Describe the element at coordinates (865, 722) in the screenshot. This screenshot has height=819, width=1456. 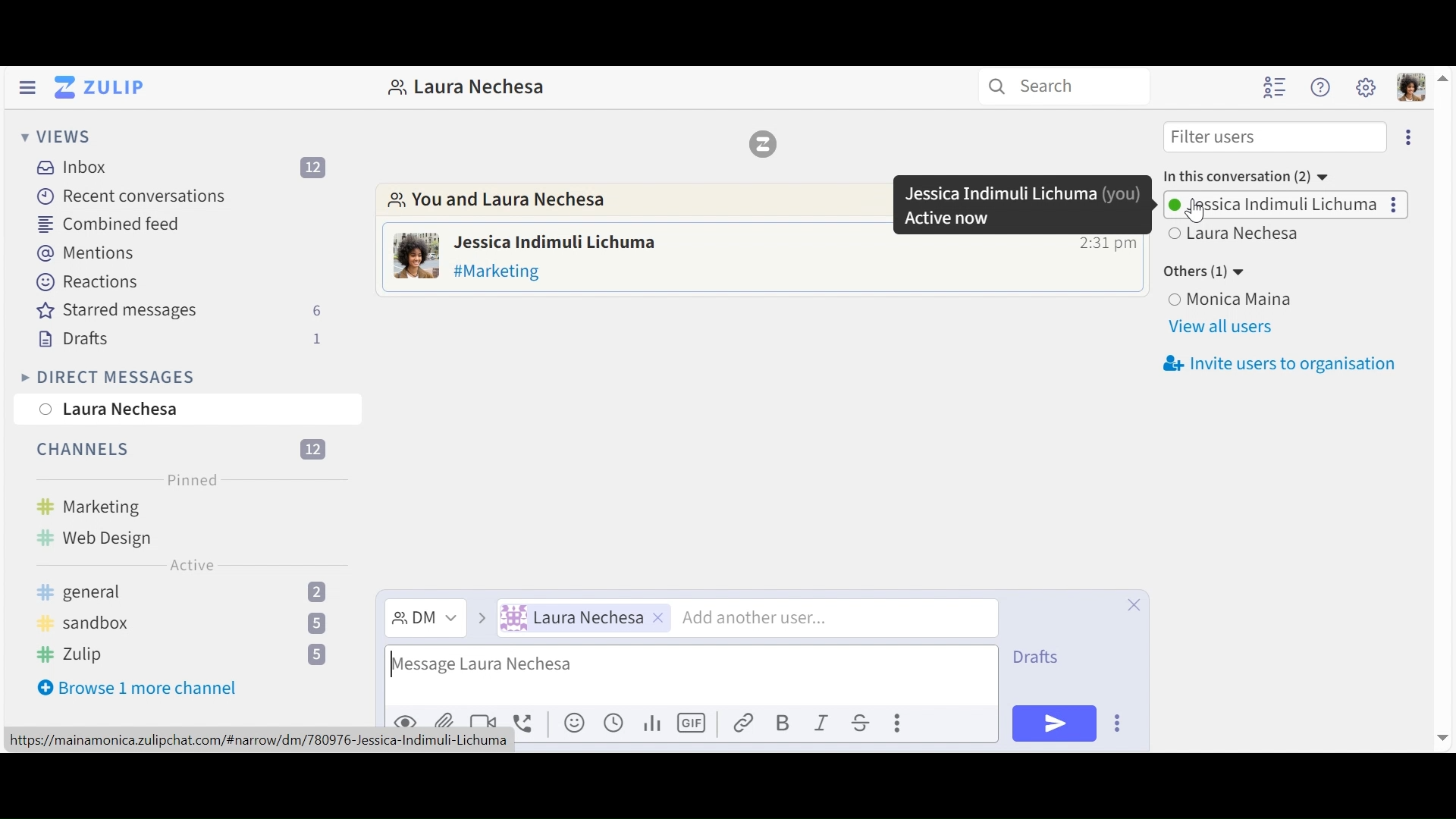
I see `Strikethrough` at that location.